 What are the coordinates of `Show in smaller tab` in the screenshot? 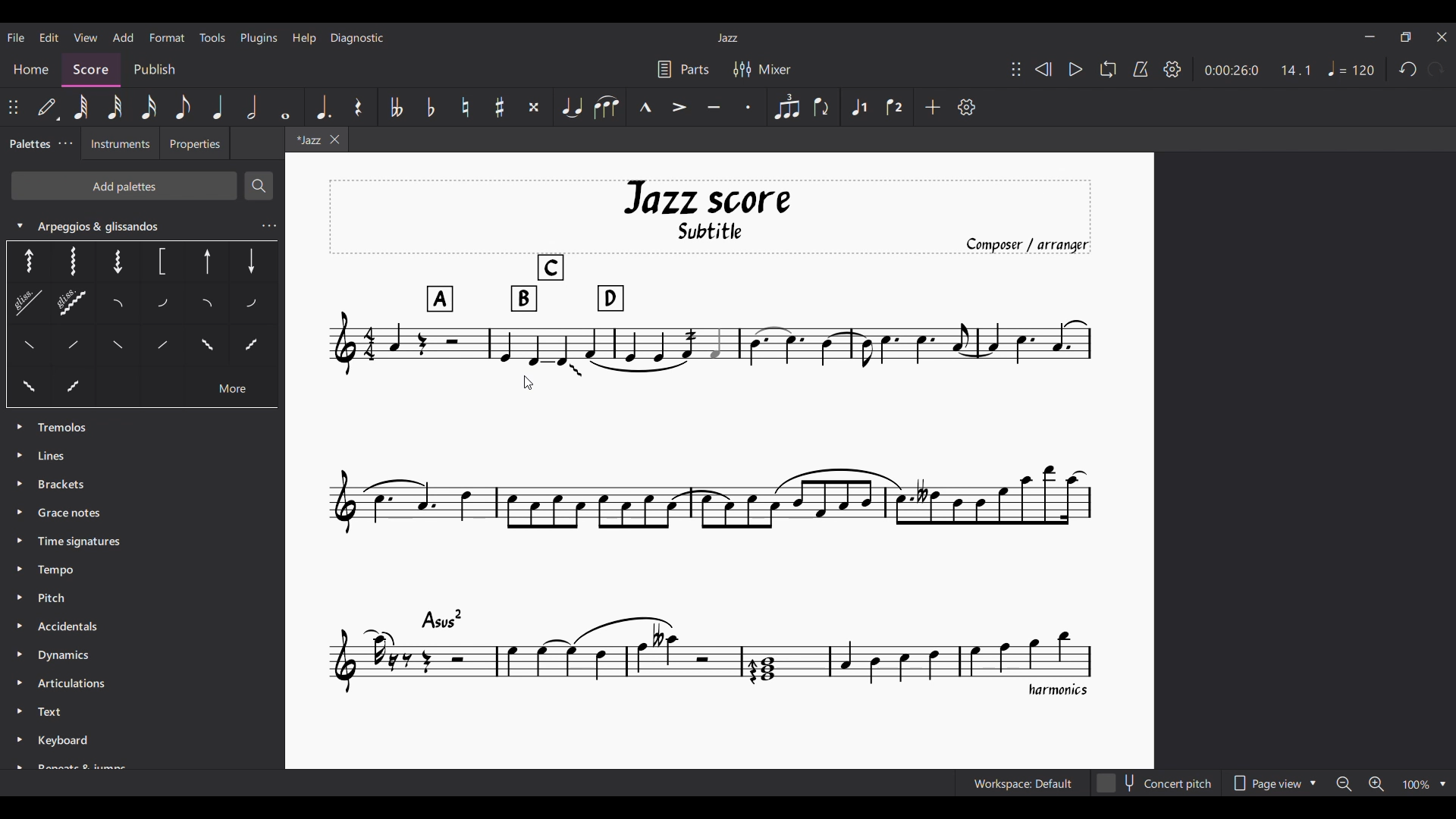 It's located at (1406, 37).